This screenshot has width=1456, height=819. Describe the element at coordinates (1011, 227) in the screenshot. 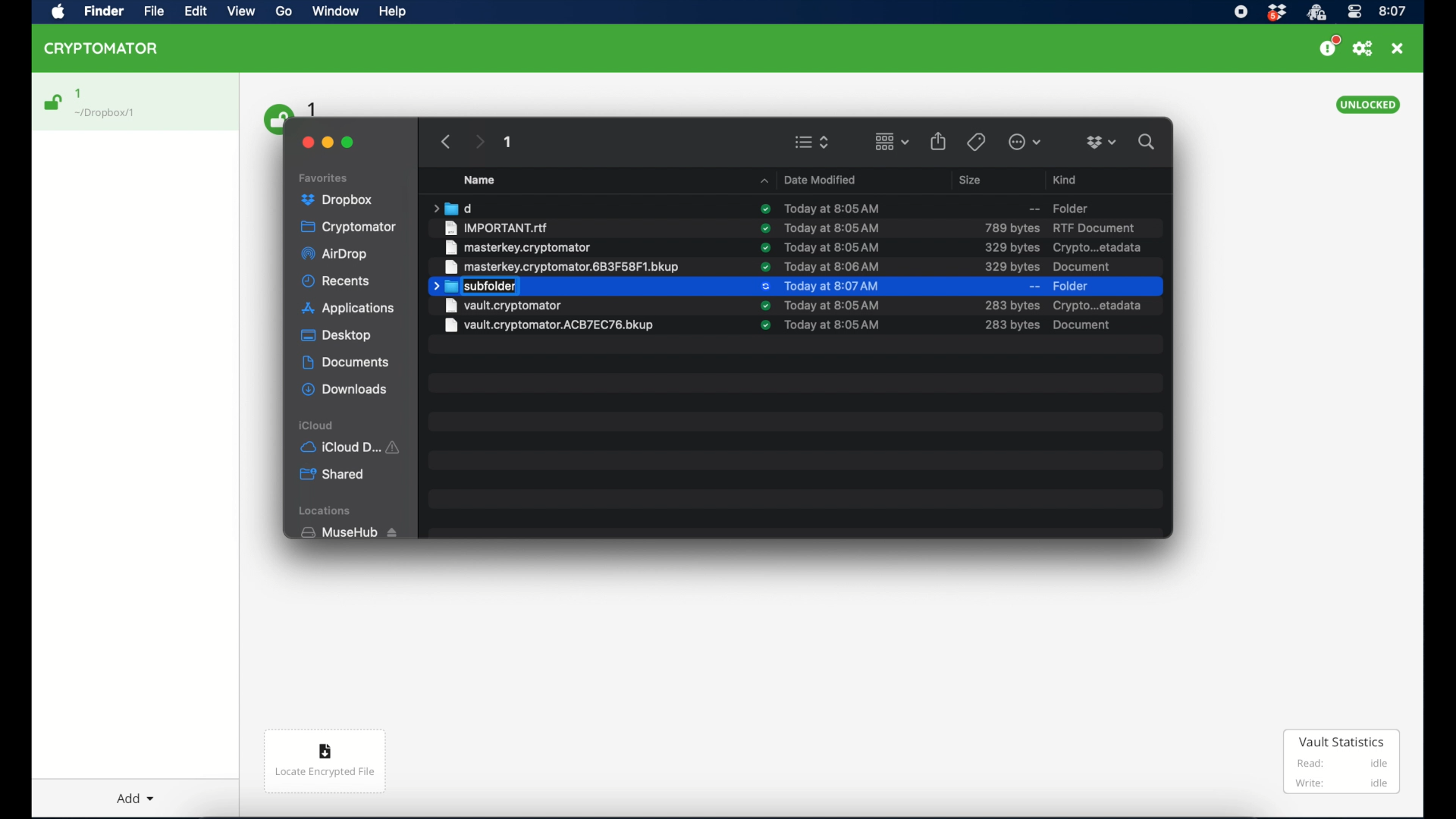

I see `size` at that location.